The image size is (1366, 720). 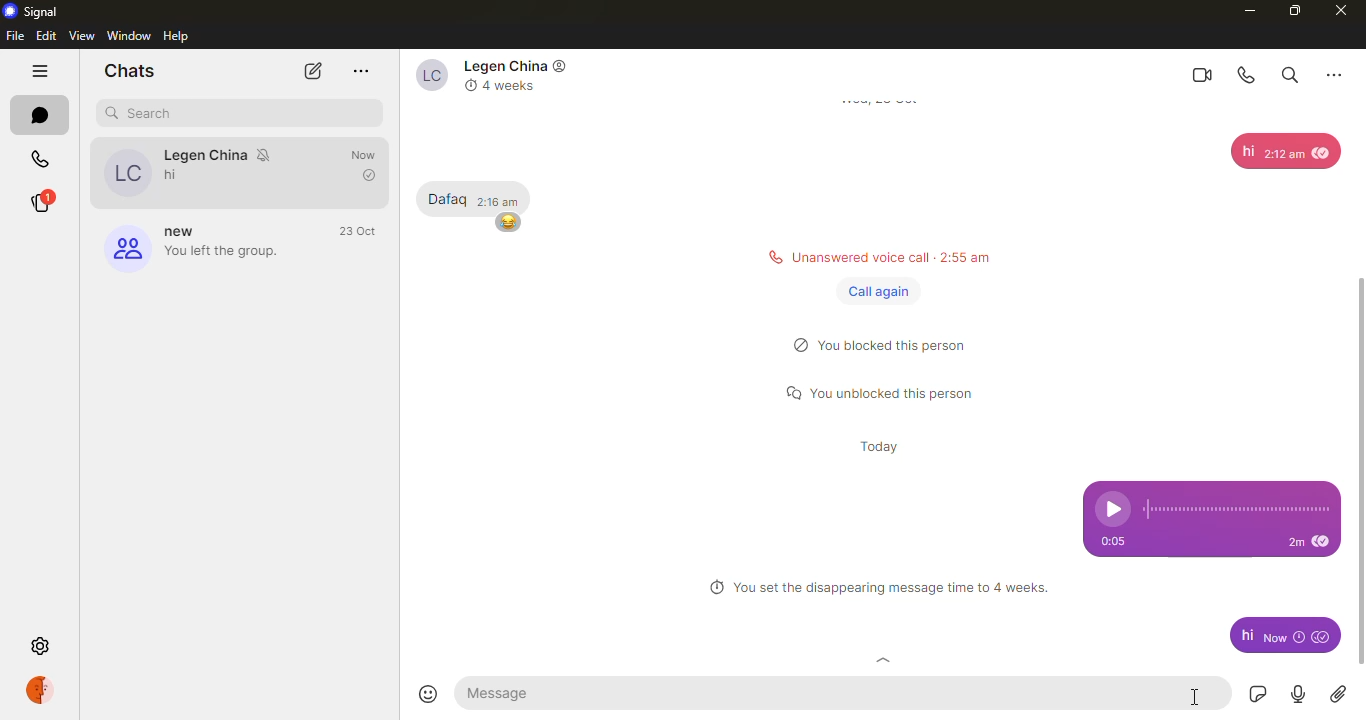 I want to click on Dafaq, so click(x=448, y=199).